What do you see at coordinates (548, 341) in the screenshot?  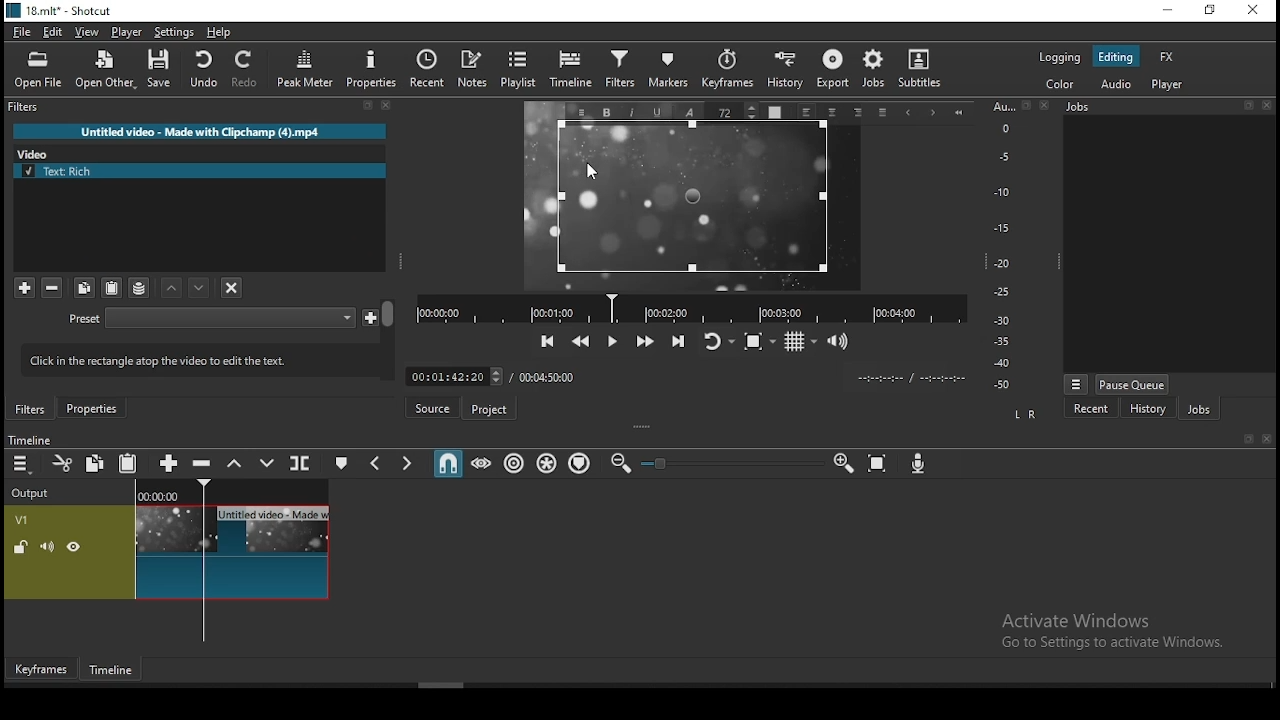 I see `skip to the previous point` at bounding box center [548, 341].